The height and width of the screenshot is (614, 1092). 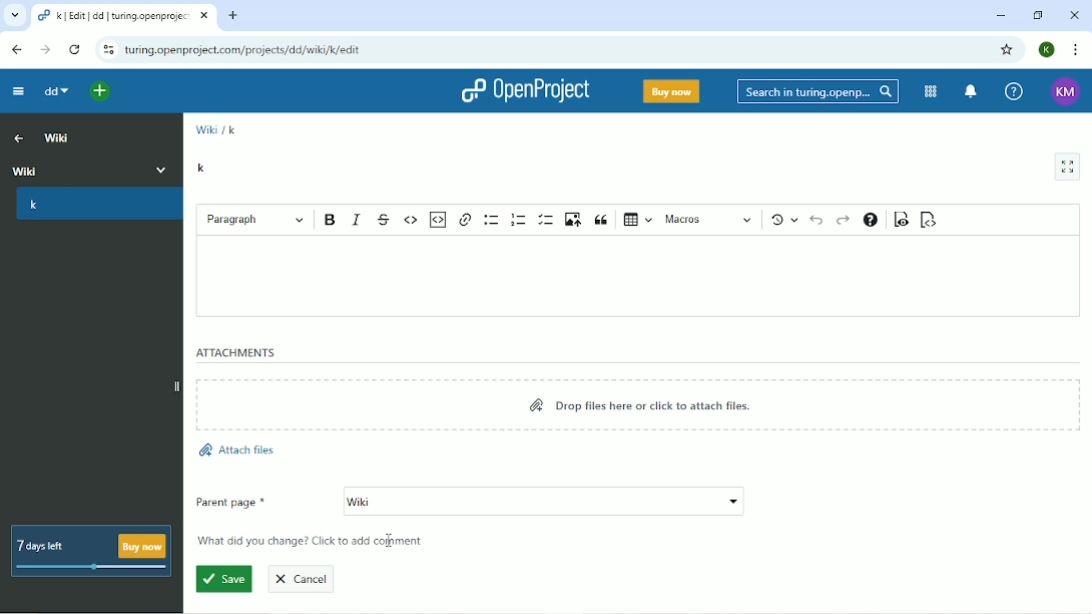 I want to click on Customize and control google chrome, so click(x=1074, y=49).